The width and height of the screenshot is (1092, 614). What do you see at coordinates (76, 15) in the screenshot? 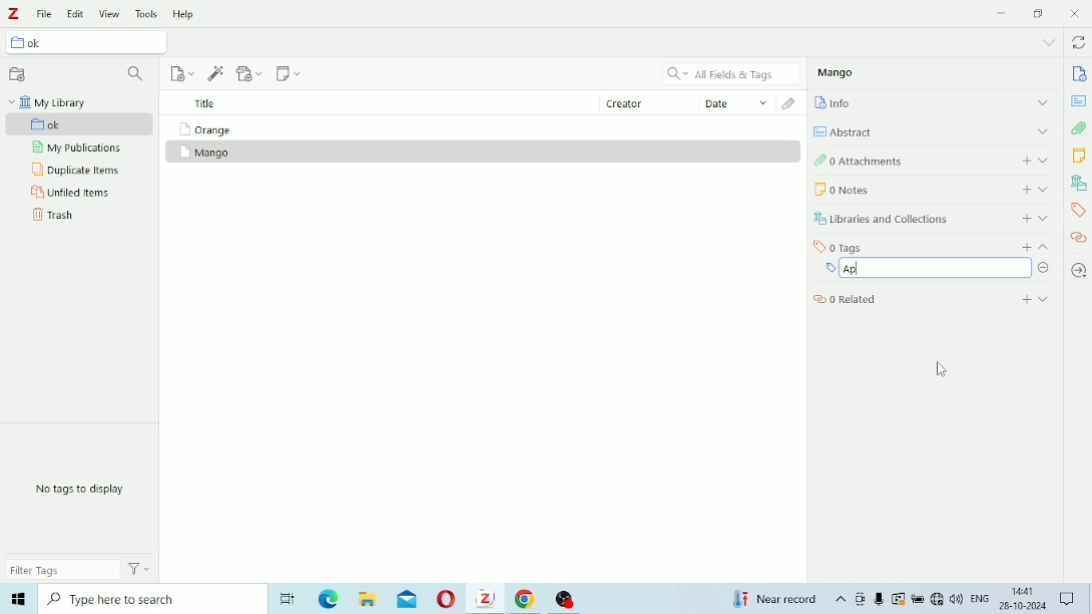
I see `Edit` at bounding box center [76, 15].